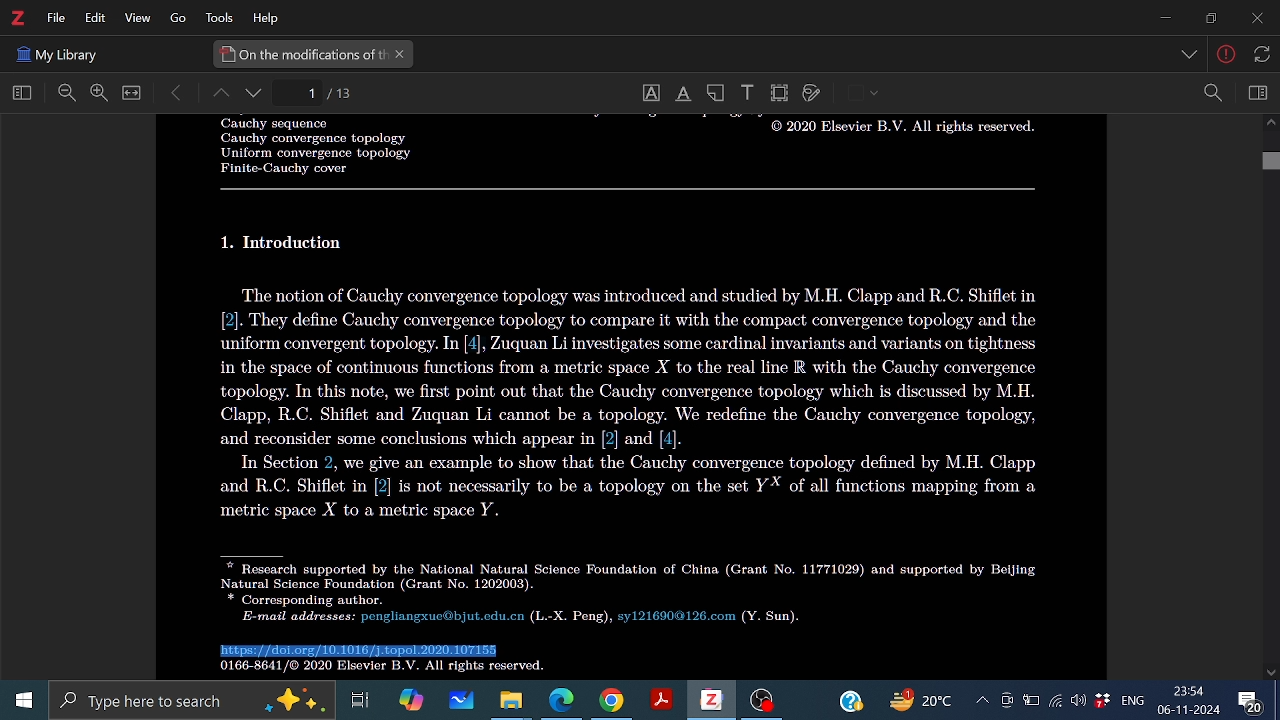 This screenshot has width=1280, height=720. What do you see at coordinates (925, 701) in the screenshot?
I see `Weather` at bounding box center [925, 701].